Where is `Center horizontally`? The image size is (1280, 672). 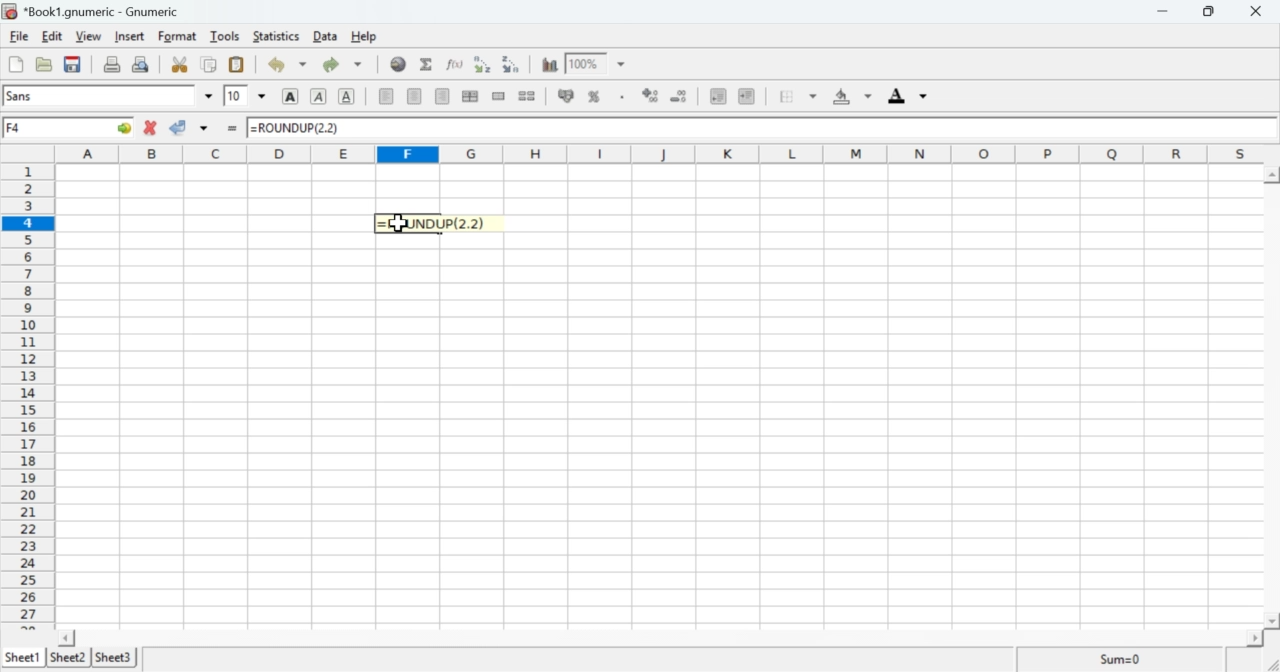
Center horizontally is located at coordinates (415, 96).